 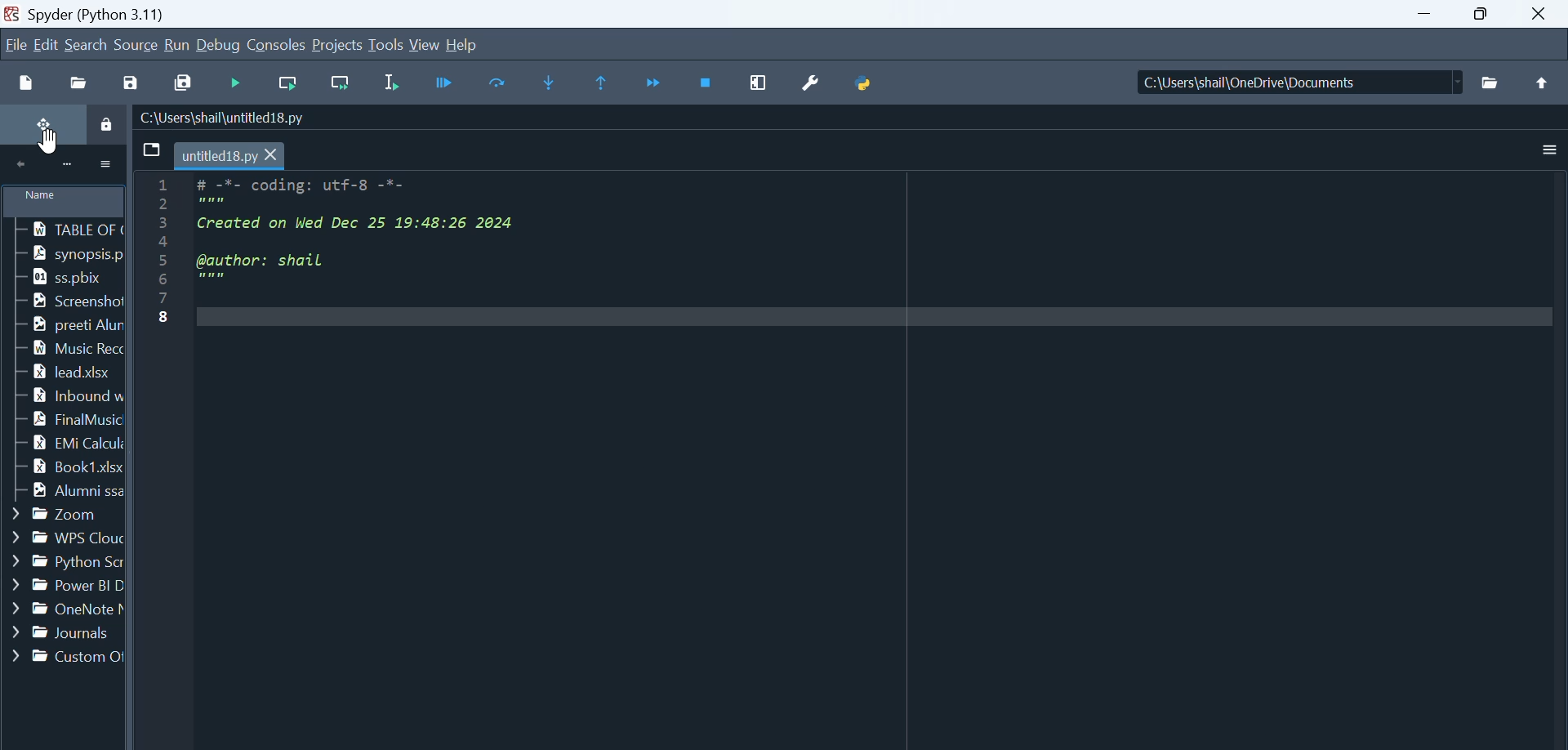 What do you see at coordinates (396, 83) in the screenshot?
I see `Run selected cell` at bounding box center [396, 83].